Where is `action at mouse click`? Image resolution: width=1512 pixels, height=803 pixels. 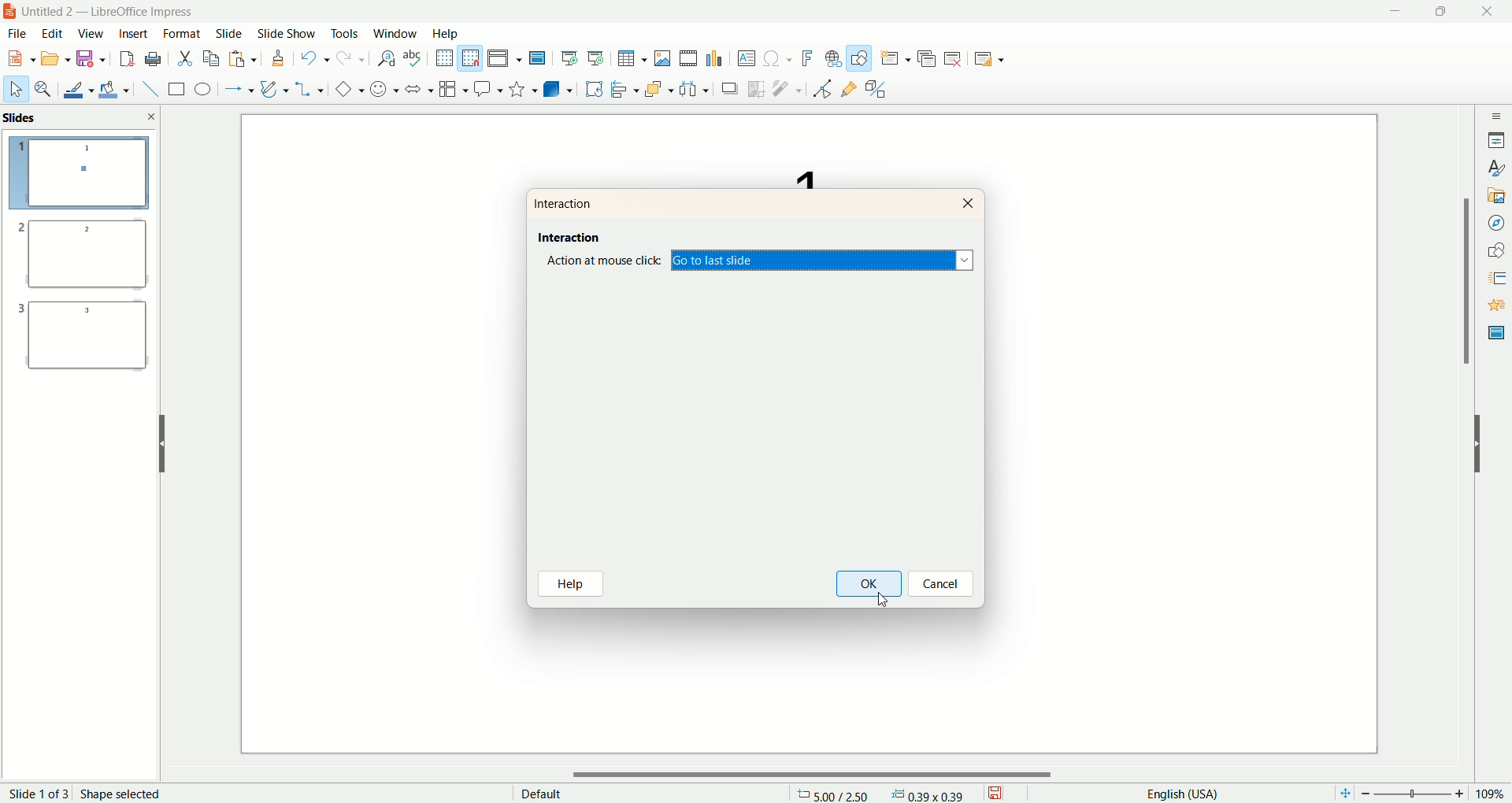 action at mouse click is located at coordinates (607, 261).